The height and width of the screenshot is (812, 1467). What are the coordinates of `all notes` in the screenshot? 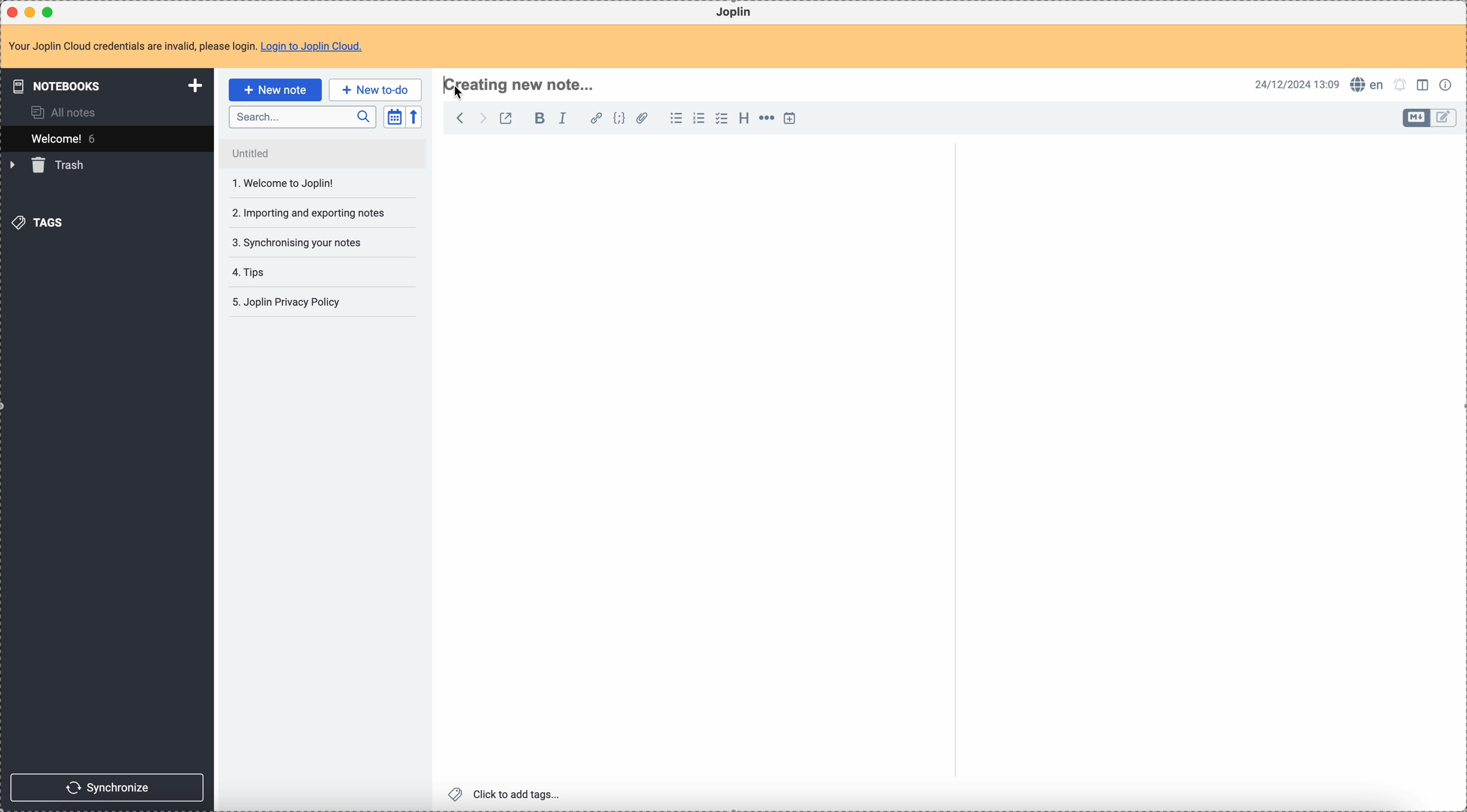 It's located at (67, 112).